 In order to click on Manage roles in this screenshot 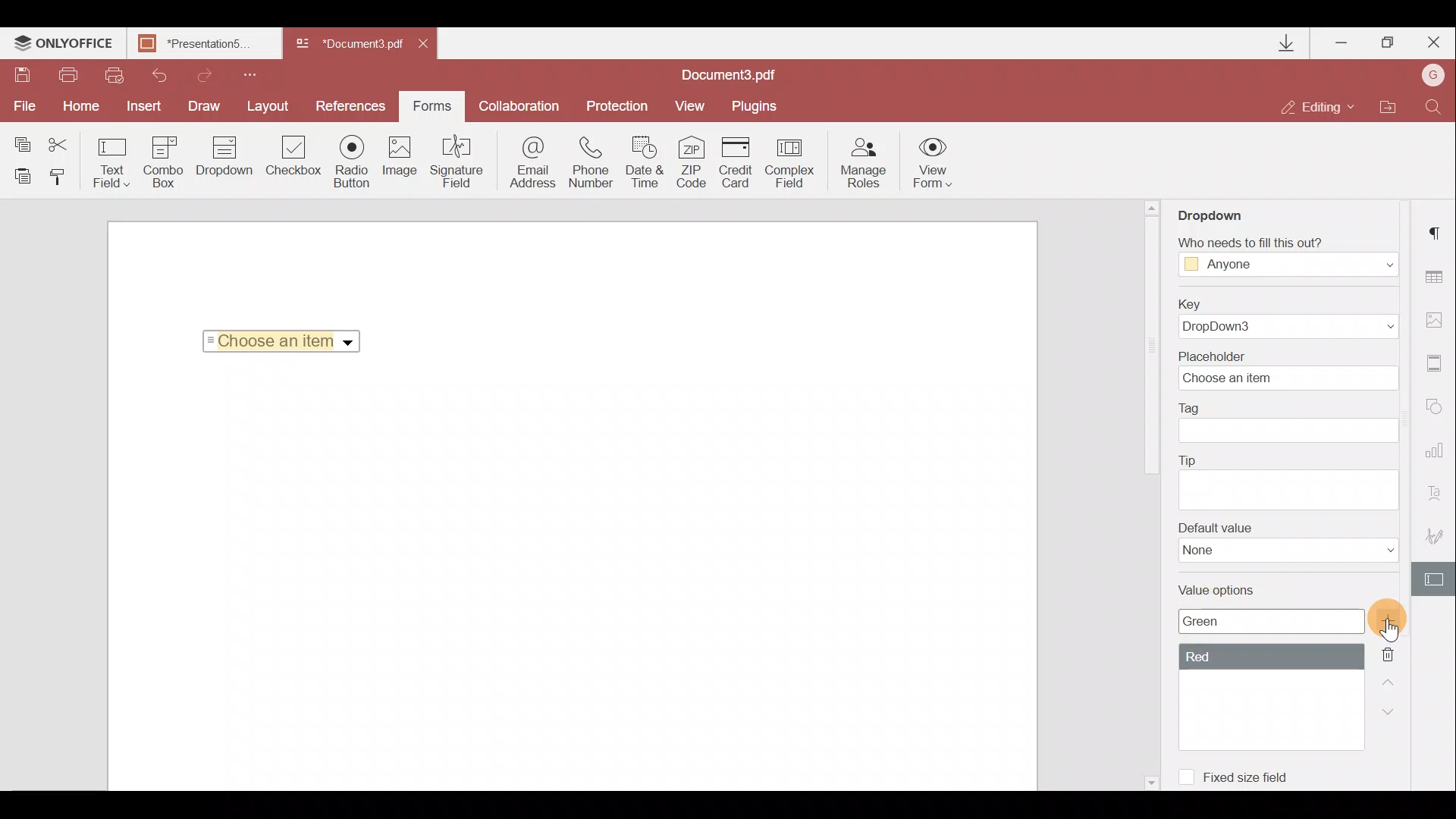, I will do `click(864, 163)`.